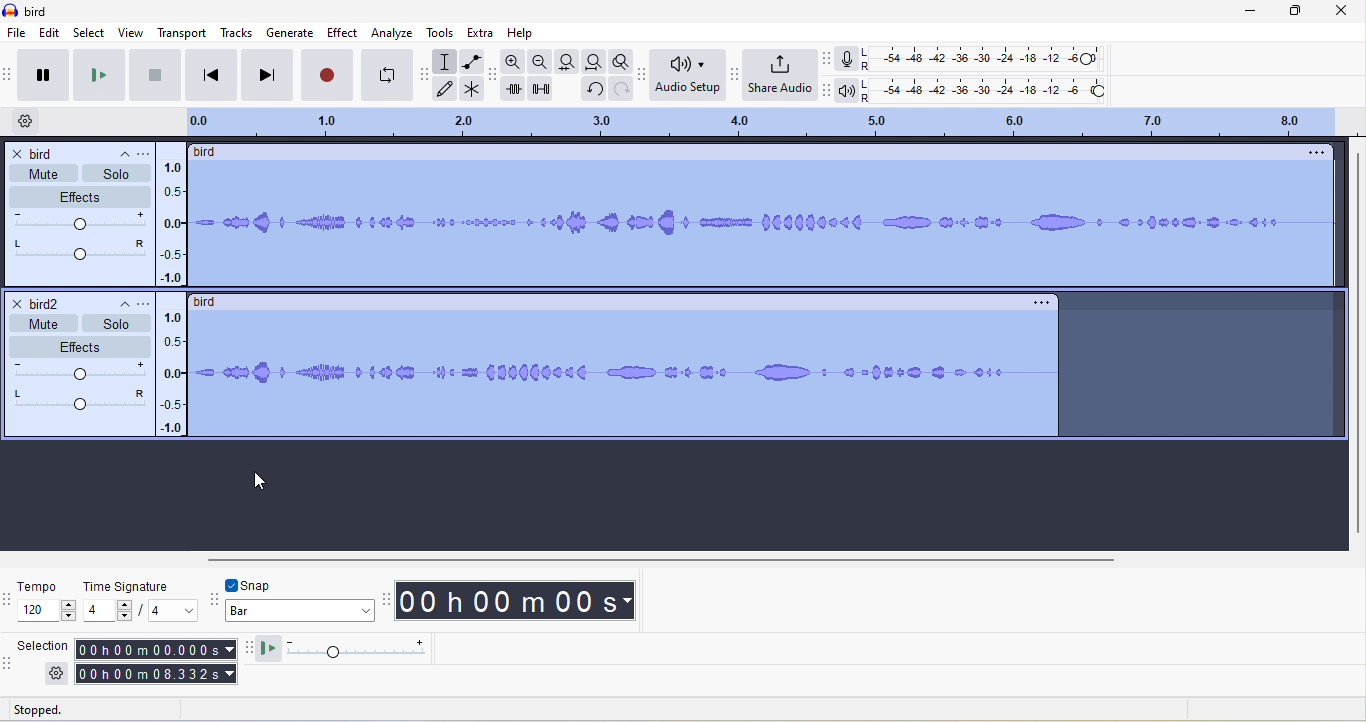  I want to click on share audio, so click(783, 76).